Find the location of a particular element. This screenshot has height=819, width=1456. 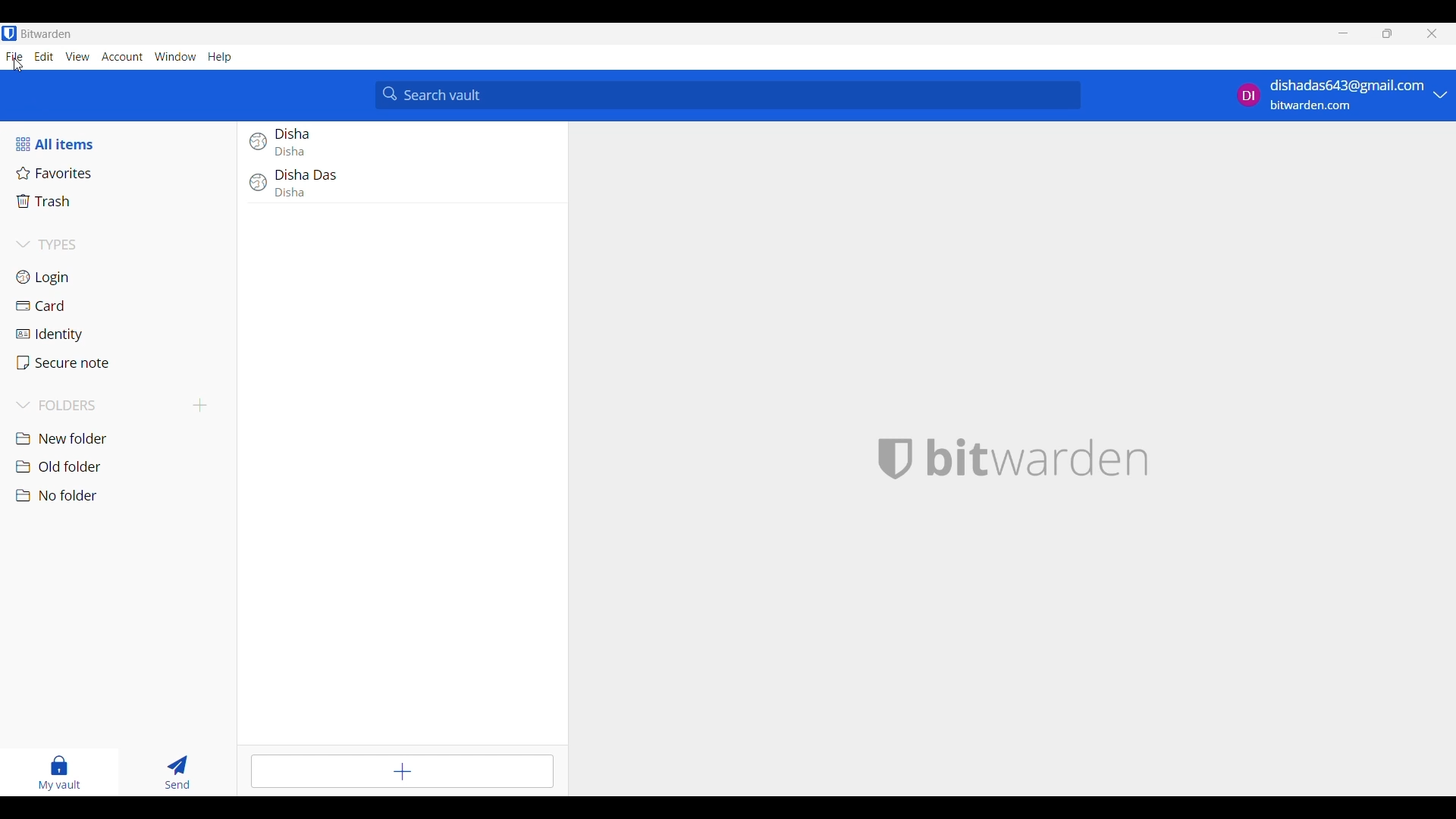

Secure note is located at coordinates (121, 362).